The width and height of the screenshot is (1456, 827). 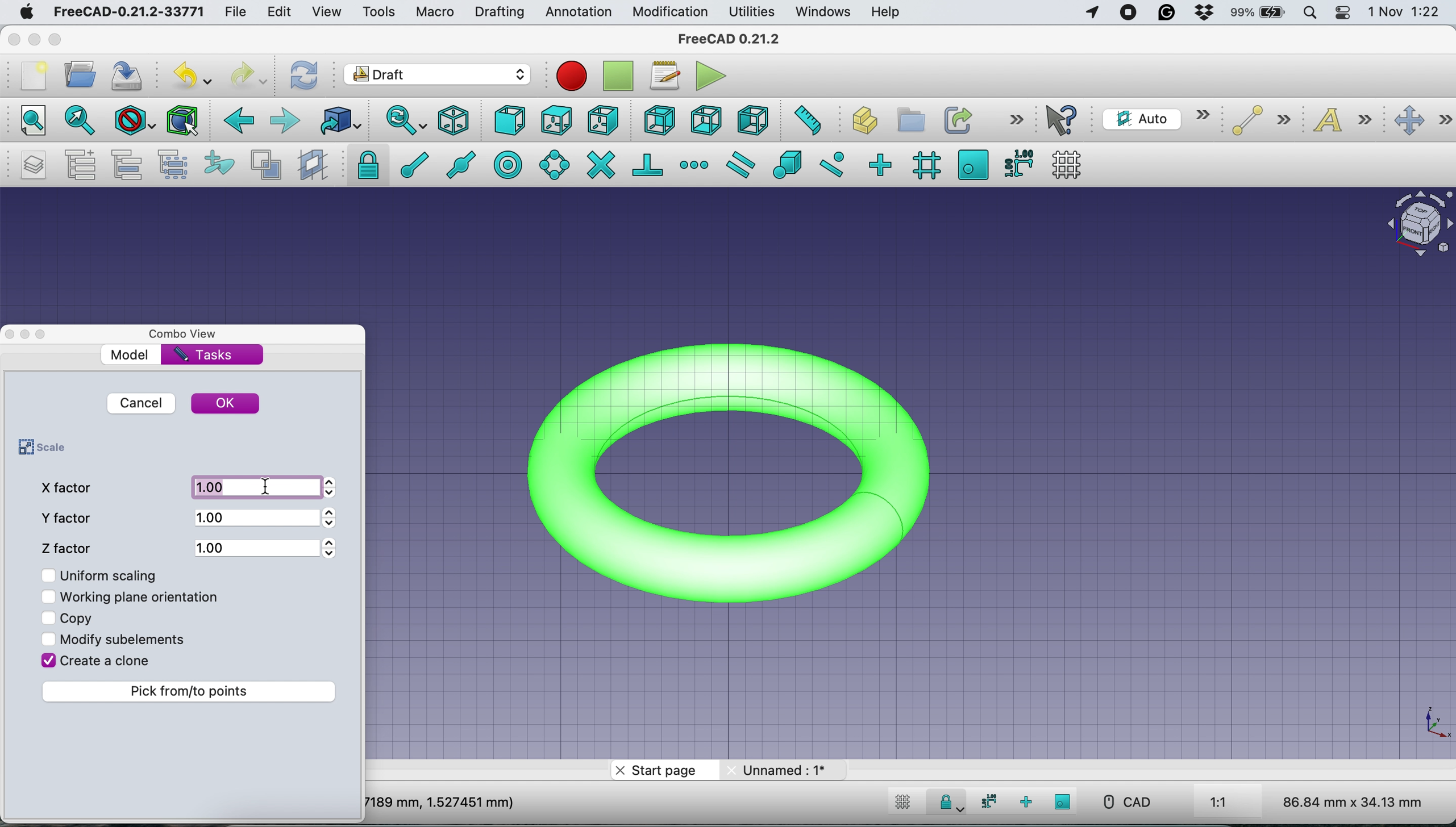 What do you see at coordinates (192, 691) in the screenshot?
I see `pick from to points` at bounding box center [192, 691].